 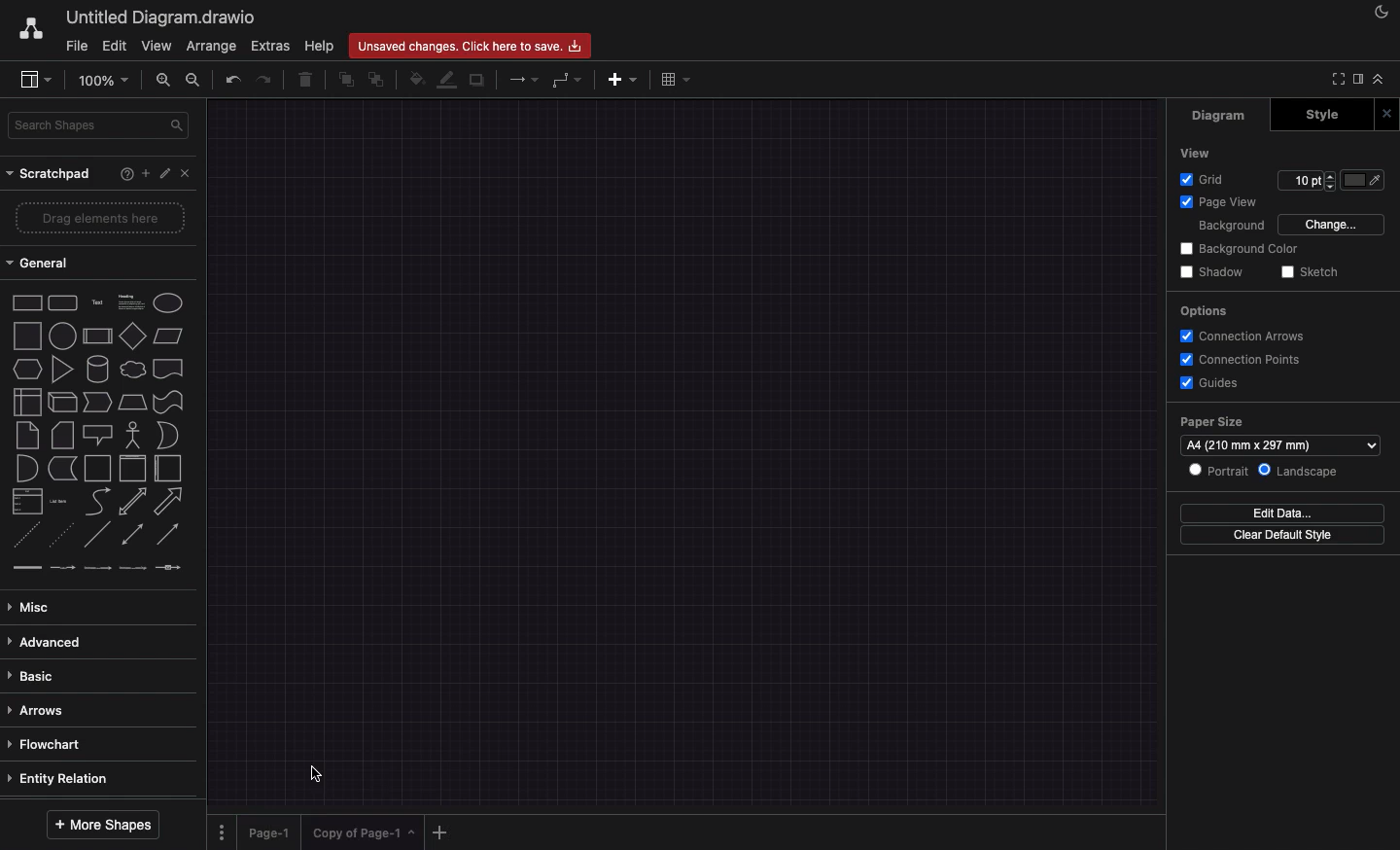 What do you see at coordinates (417, 80) in the screenshot?
I see `fill color` at bounding box center [417, 80].